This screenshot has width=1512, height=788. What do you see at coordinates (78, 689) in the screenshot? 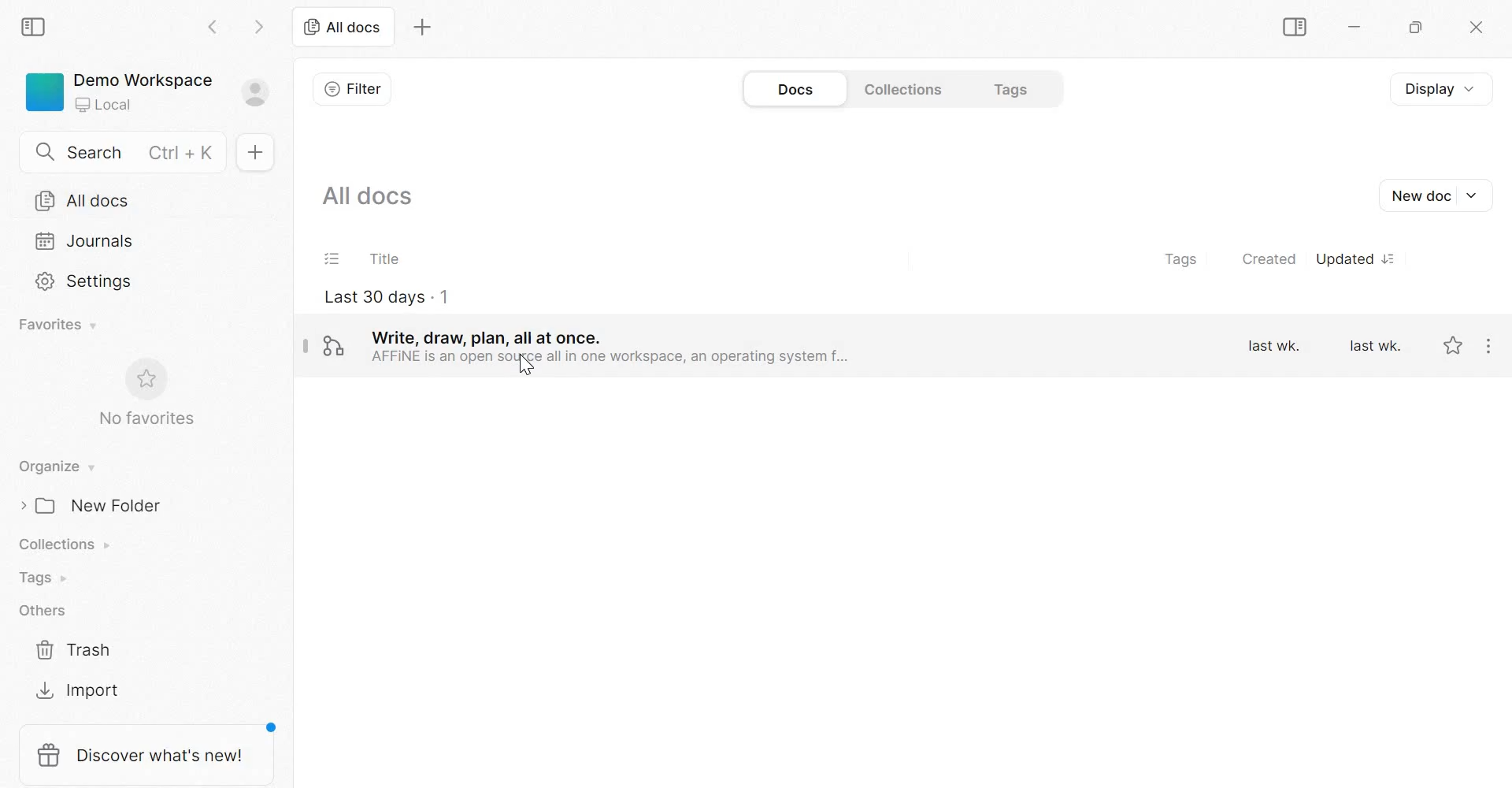
I see `Import` at bounding box center [78, 689].